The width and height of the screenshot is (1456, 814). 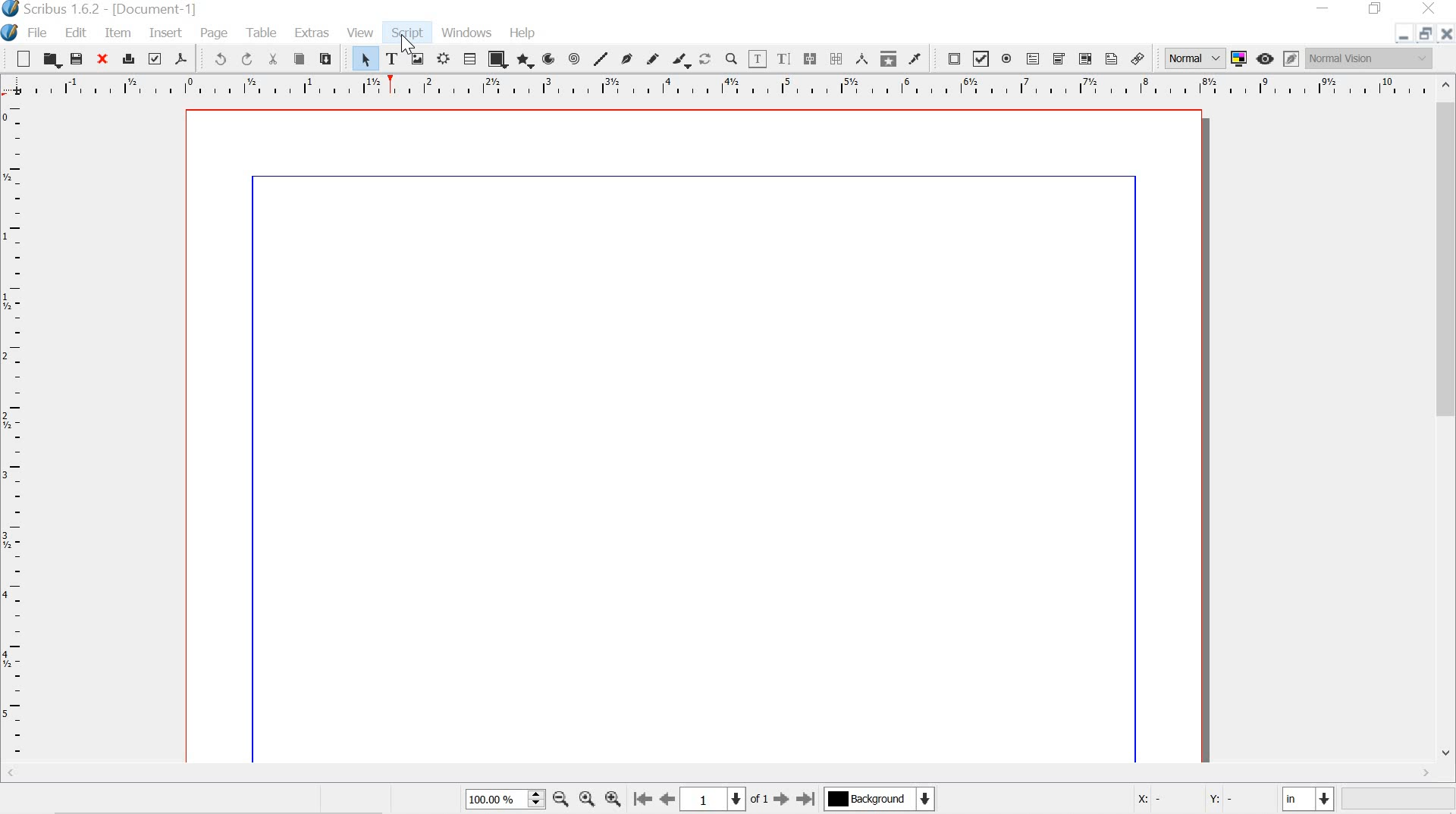 What do you see at coordinates (1034, 60) in the screenshot?
I see `pdf text field` at bounding box center [1034, 60].